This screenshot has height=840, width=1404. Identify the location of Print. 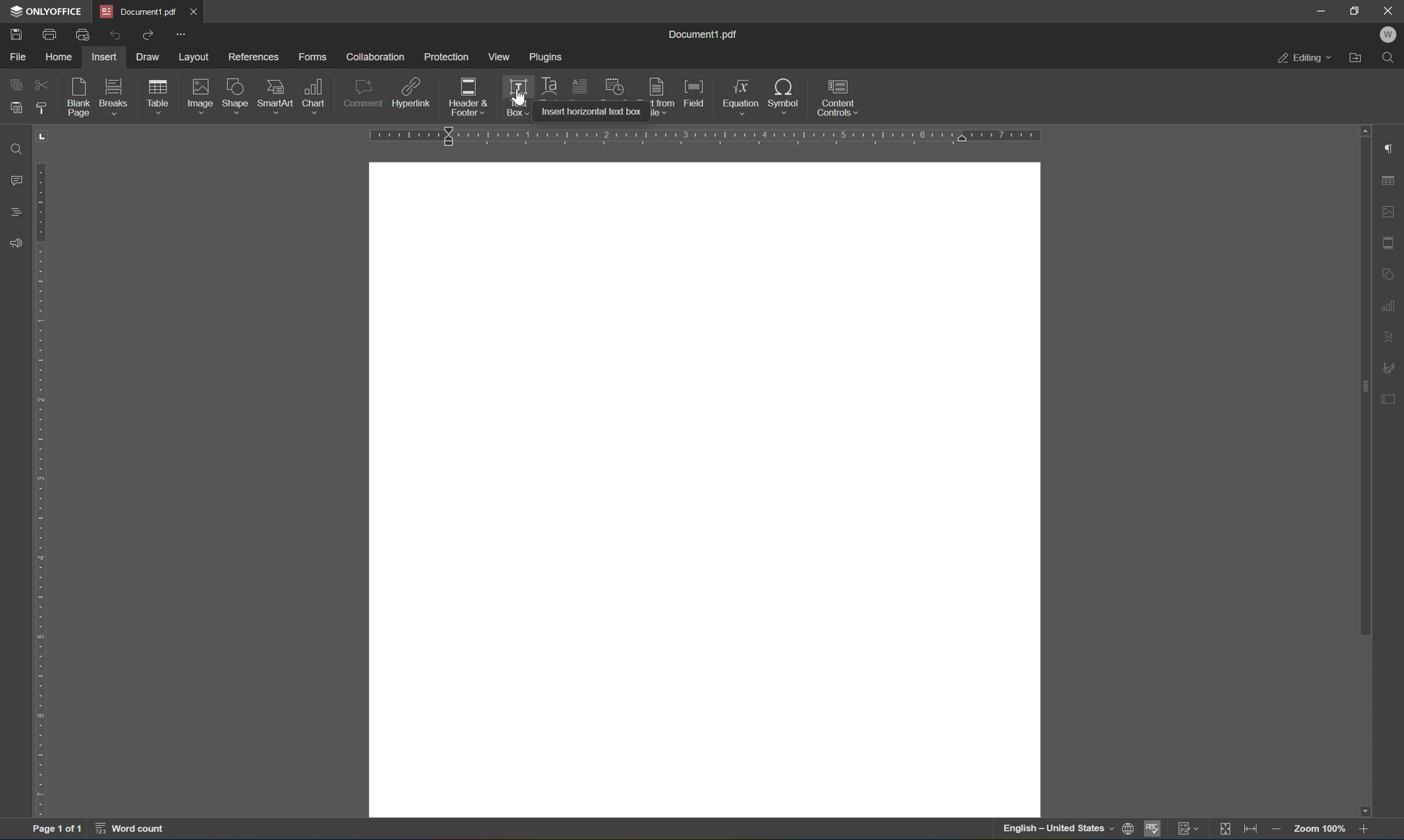
(50, 35).